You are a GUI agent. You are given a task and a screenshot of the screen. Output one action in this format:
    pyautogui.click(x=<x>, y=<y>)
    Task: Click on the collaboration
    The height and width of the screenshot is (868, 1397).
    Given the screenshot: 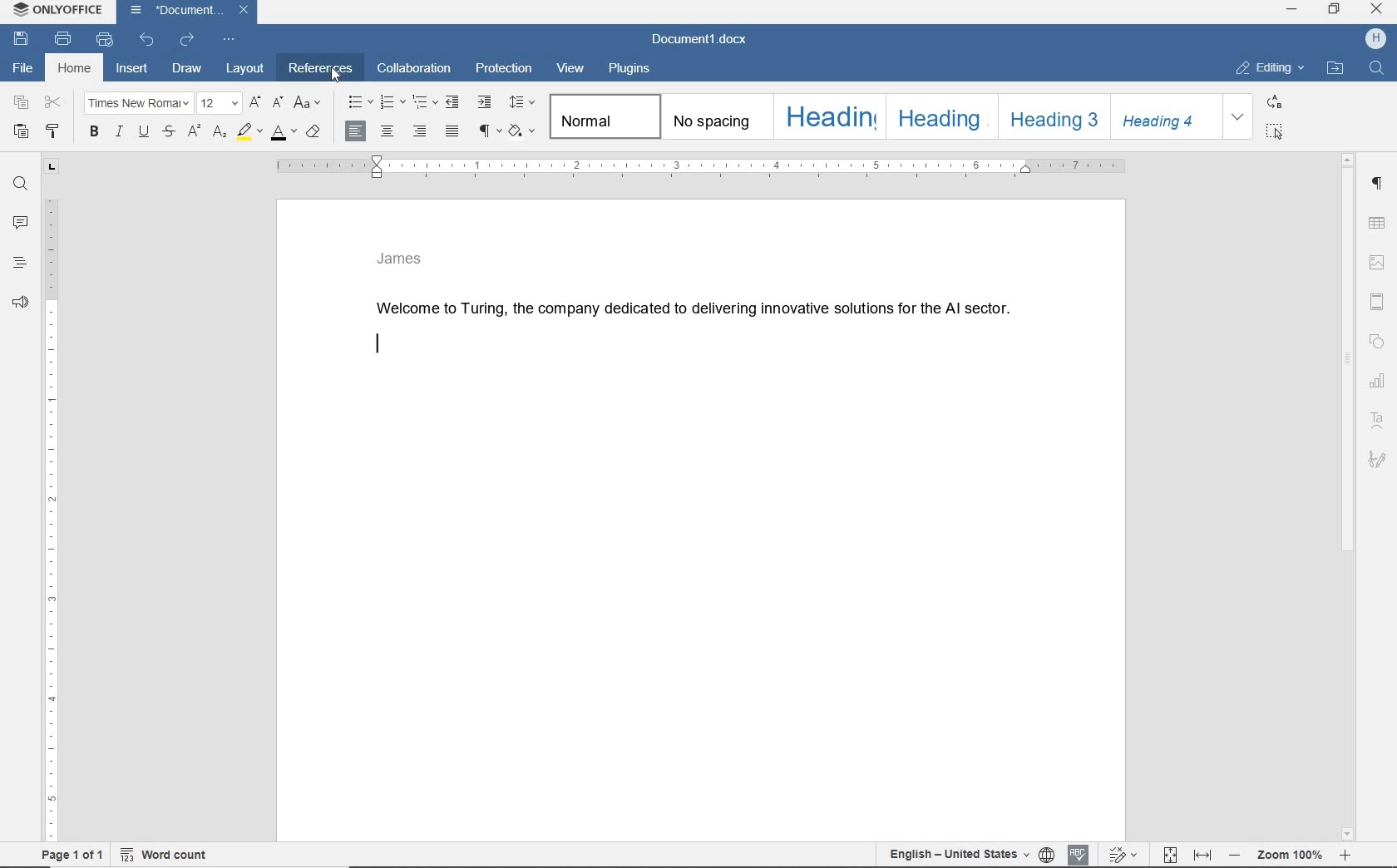 What is the action you would take?
    pyautogui.click(x=417, y=69)
    